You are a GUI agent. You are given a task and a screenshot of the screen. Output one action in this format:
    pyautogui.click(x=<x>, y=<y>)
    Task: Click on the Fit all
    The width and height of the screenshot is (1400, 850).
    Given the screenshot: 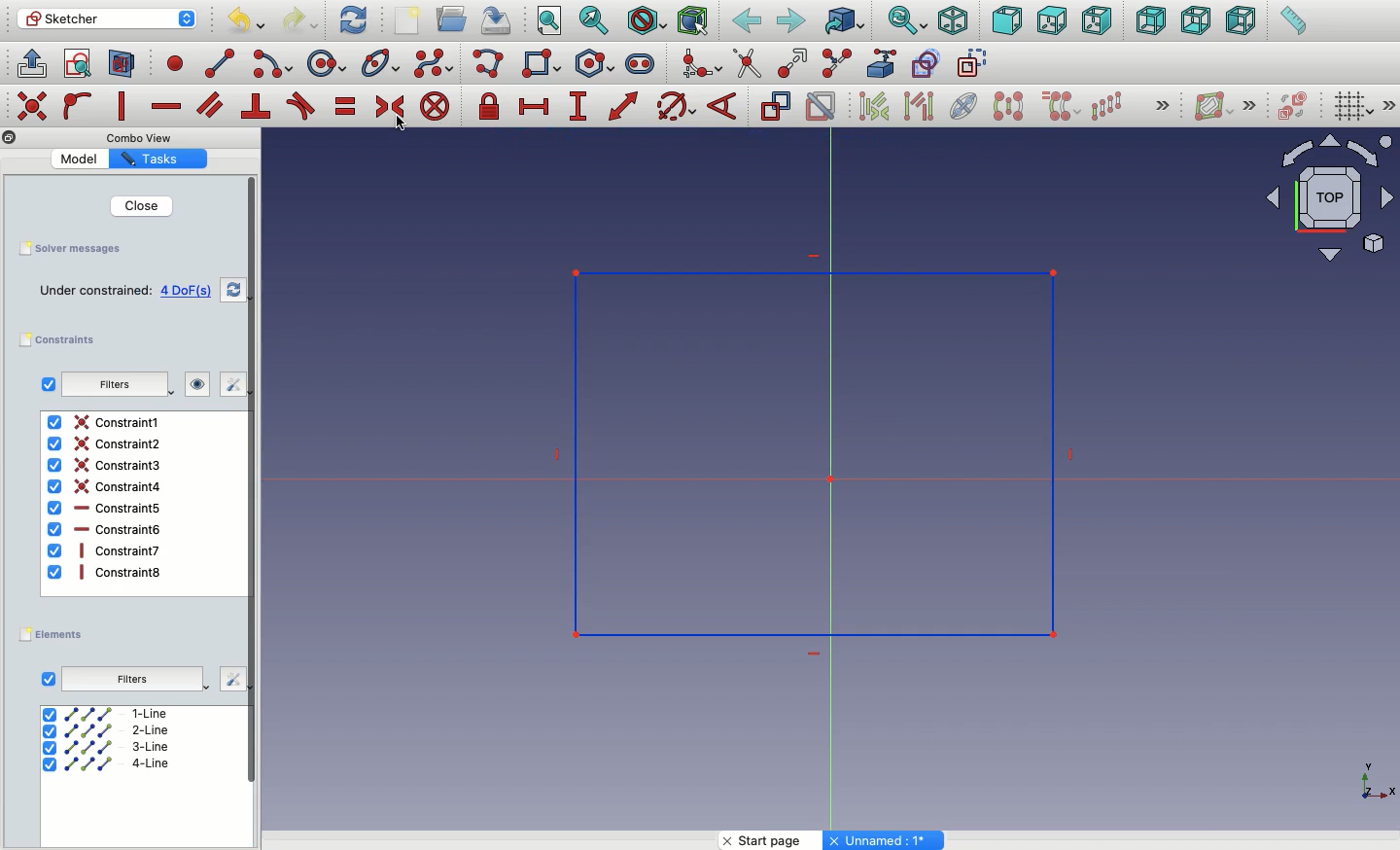 What is the action you would take?
    pyautogui.click(x=547, y=22)
    